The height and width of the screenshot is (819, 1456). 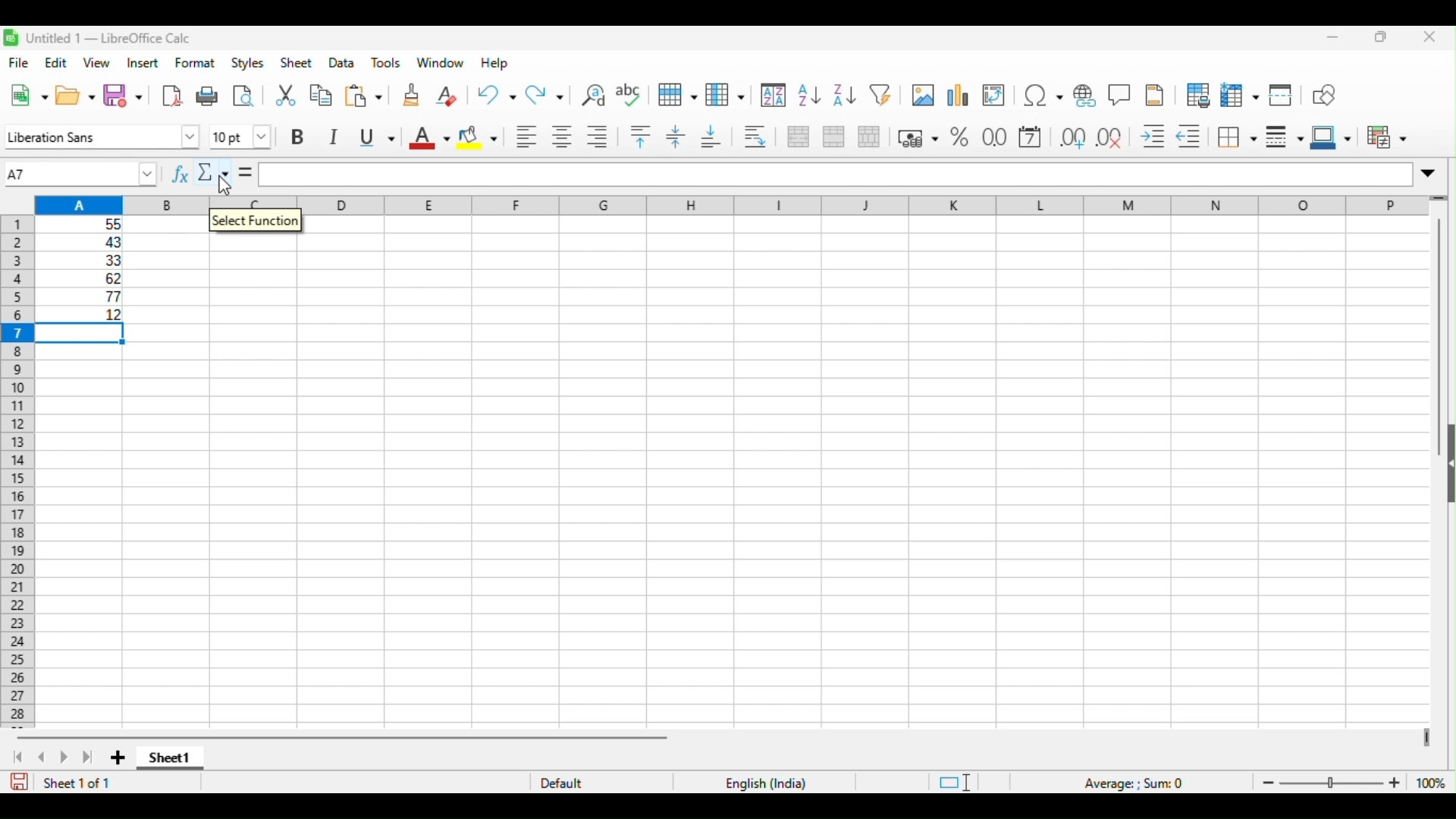 I want to click on sheet1, so click(x=171, y=760).